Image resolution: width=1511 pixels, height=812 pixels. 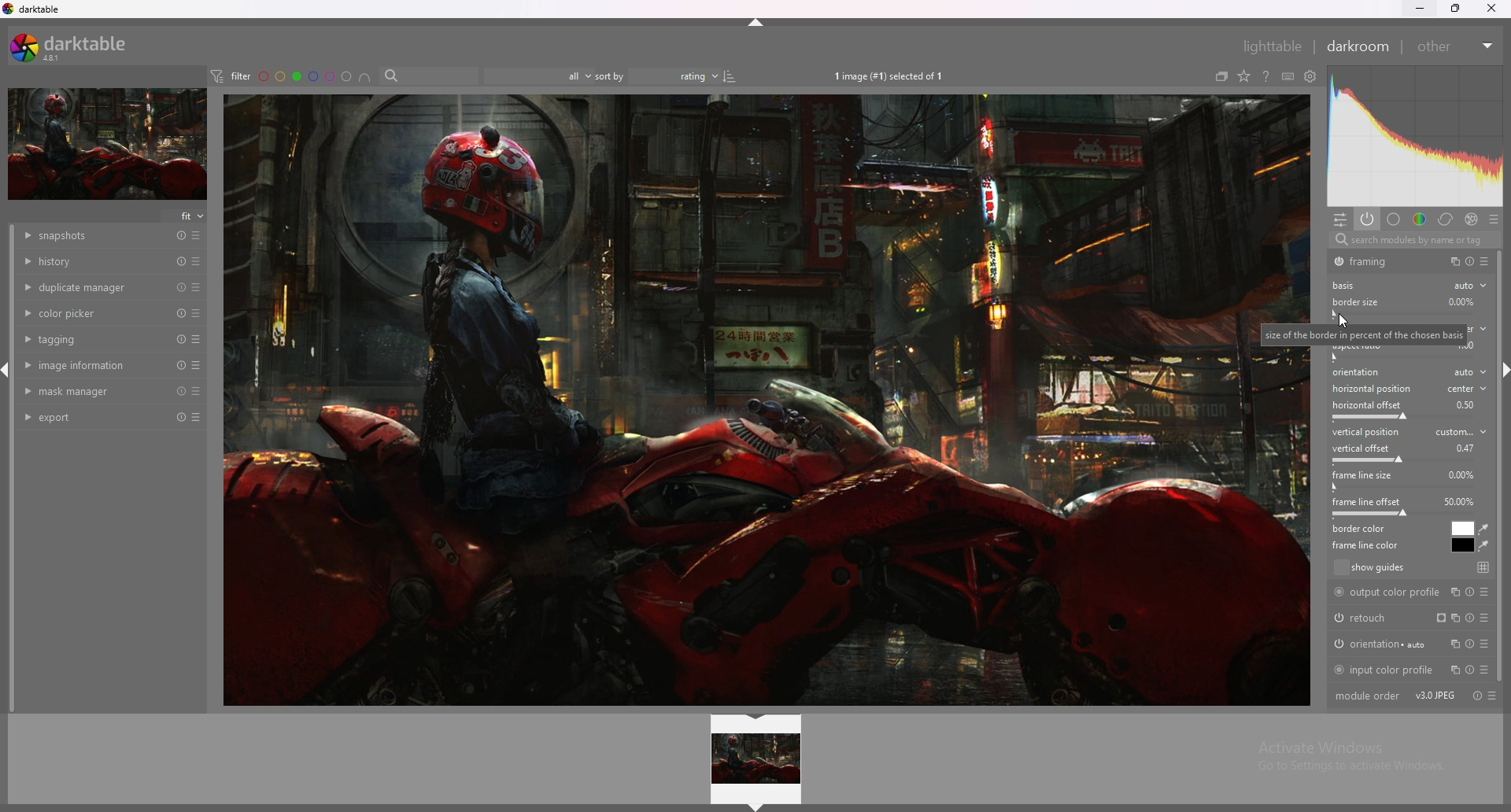 I want to click on presets, so click(x=198, y=235).